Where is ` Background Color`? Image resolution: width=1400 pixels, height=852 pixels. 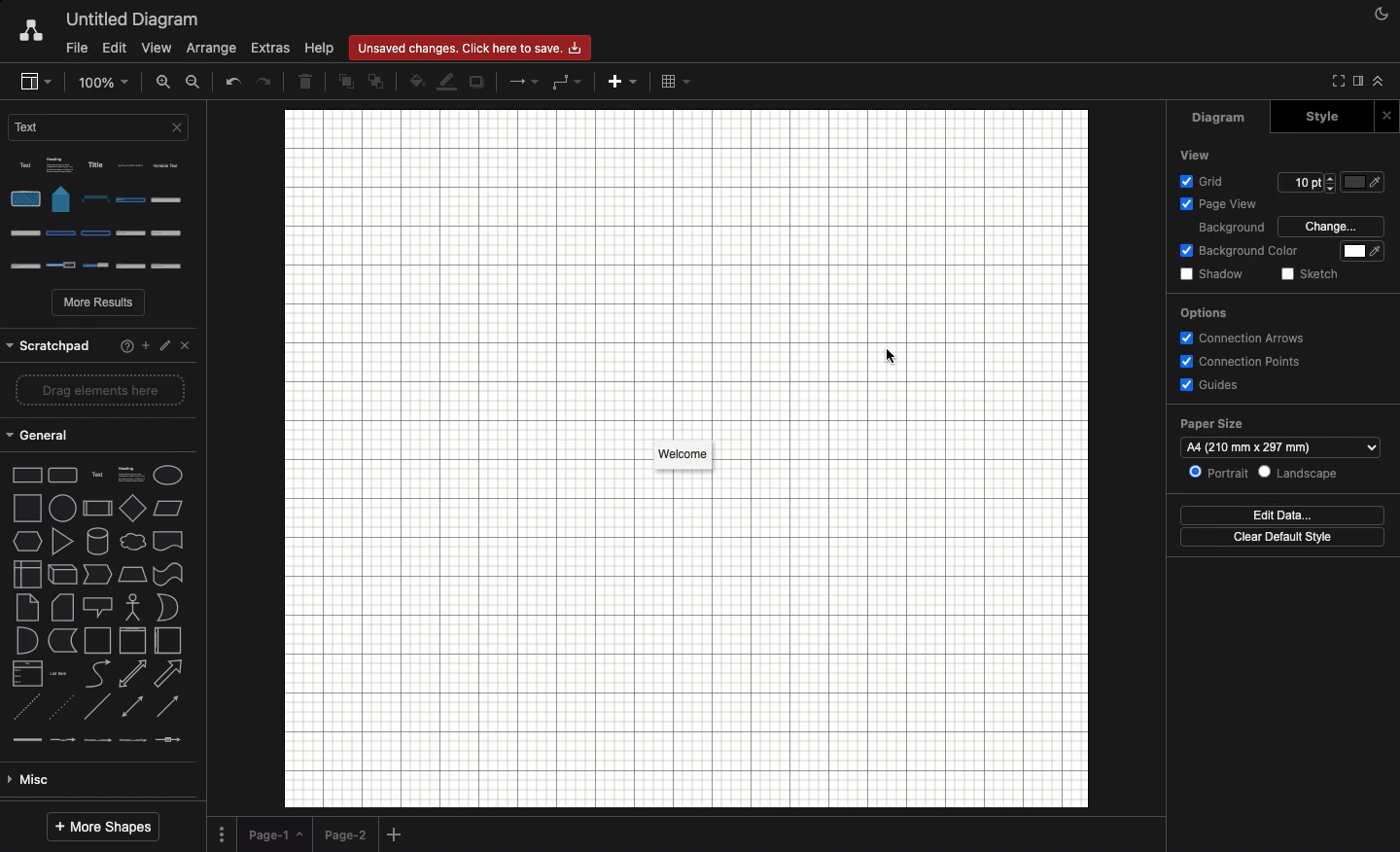
 Background Color is located at coordinates (1275, 254).